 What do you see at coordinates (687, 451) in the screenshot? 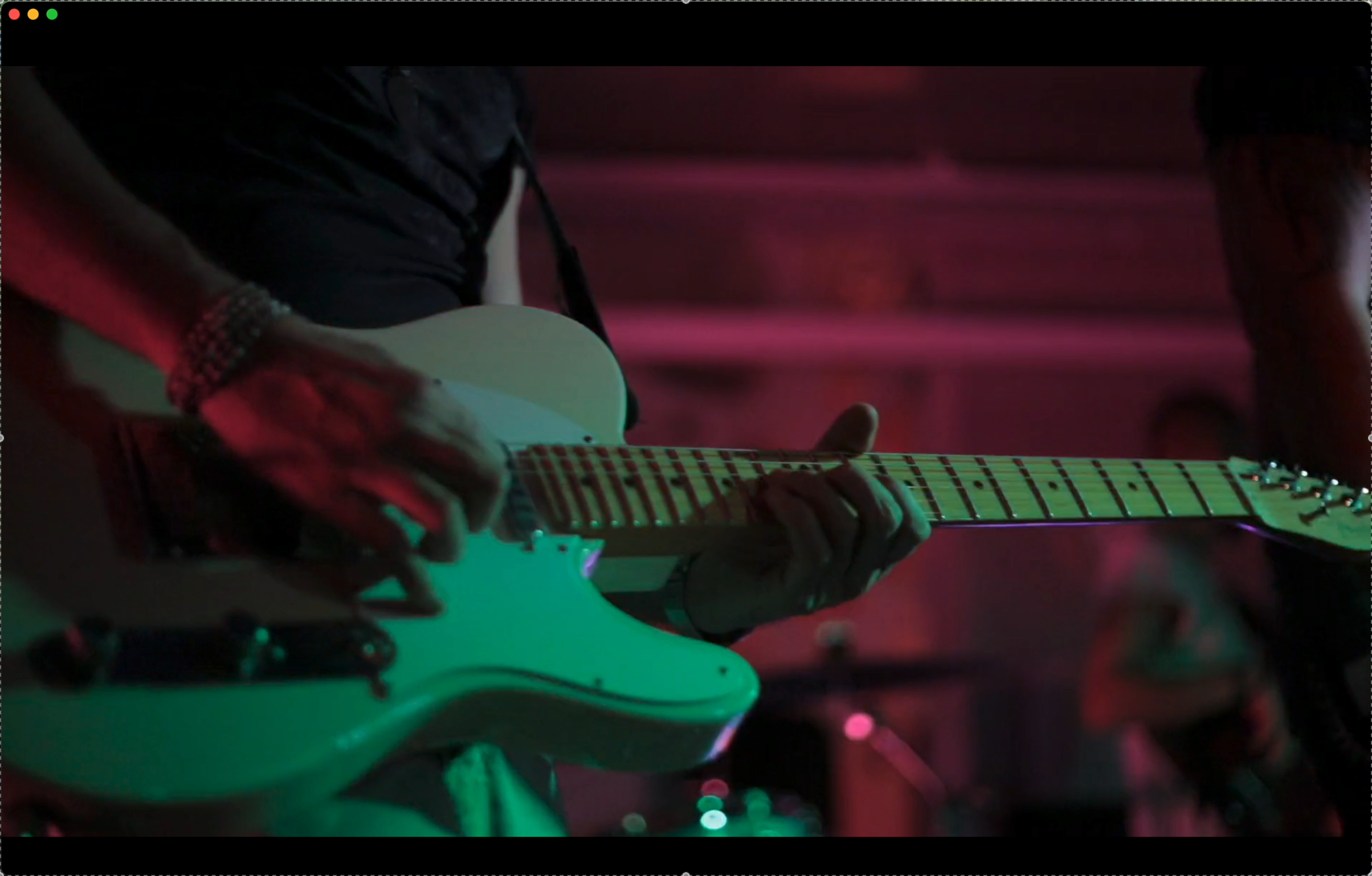
I see `concert video playing` at bounding box center [687, 451].